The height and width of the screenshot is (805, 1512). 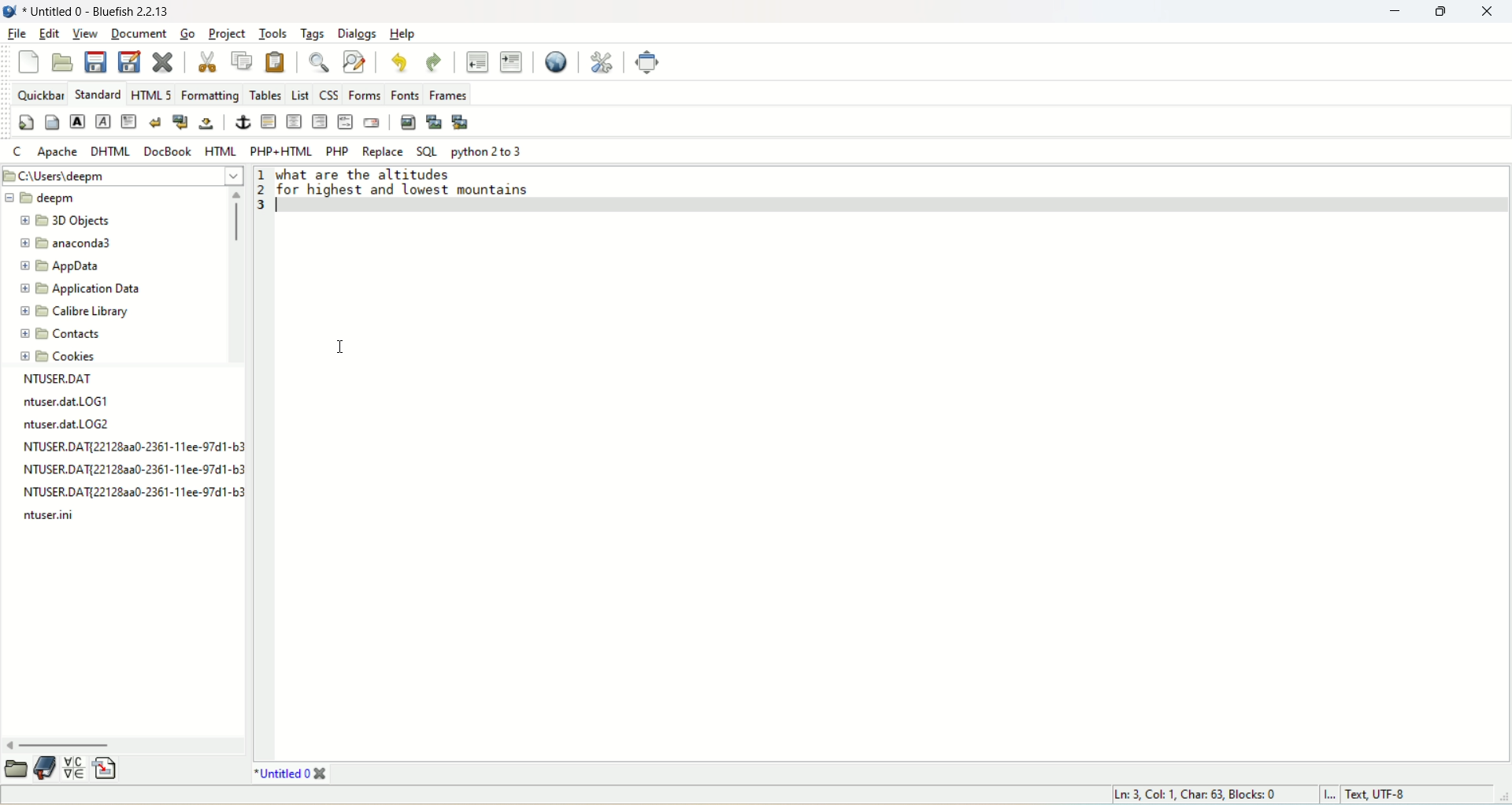 I want to click on frames, so click(x=447, y=93).